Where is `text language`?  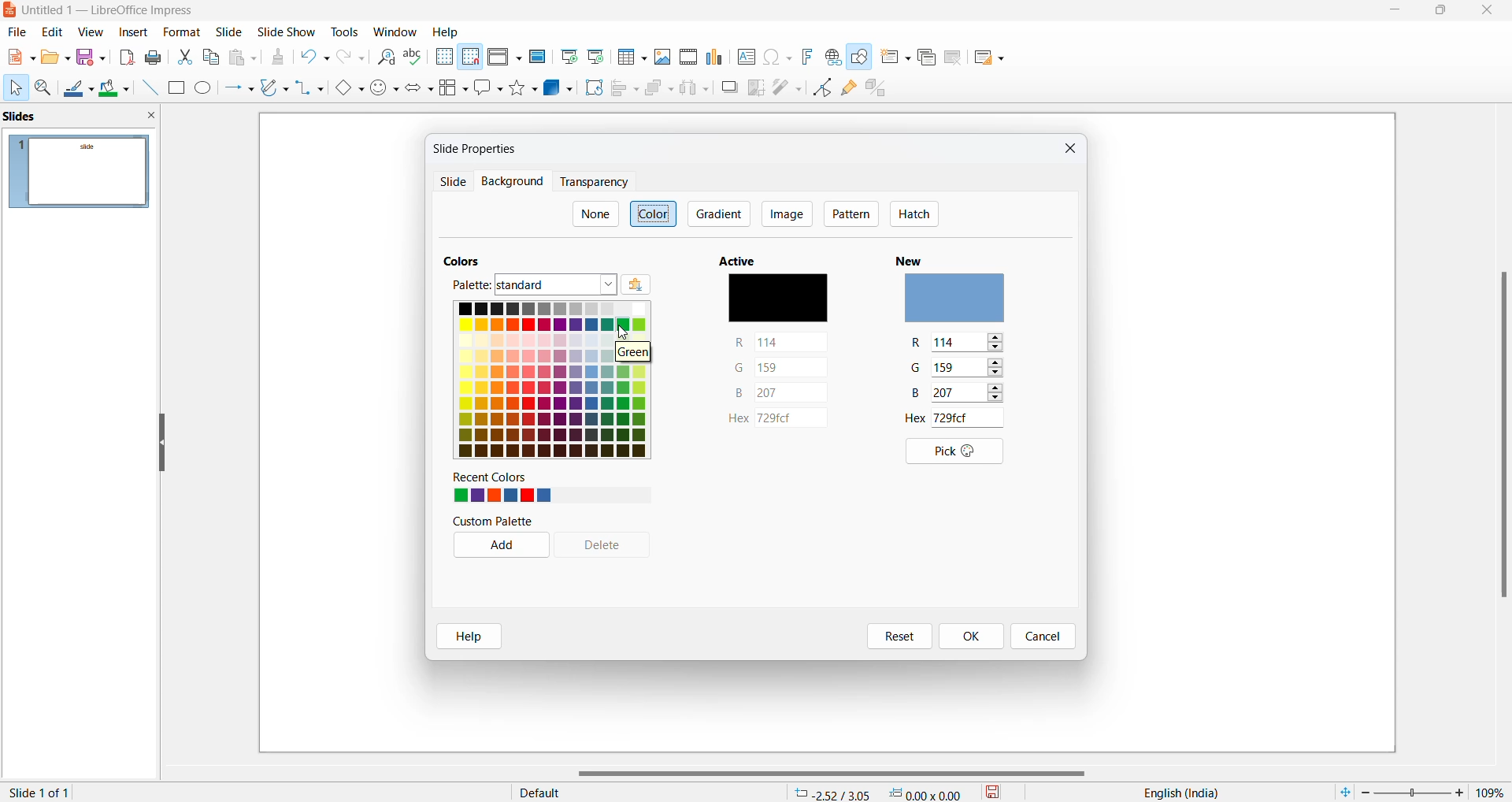
text language is located at coordinates (1176, 793).